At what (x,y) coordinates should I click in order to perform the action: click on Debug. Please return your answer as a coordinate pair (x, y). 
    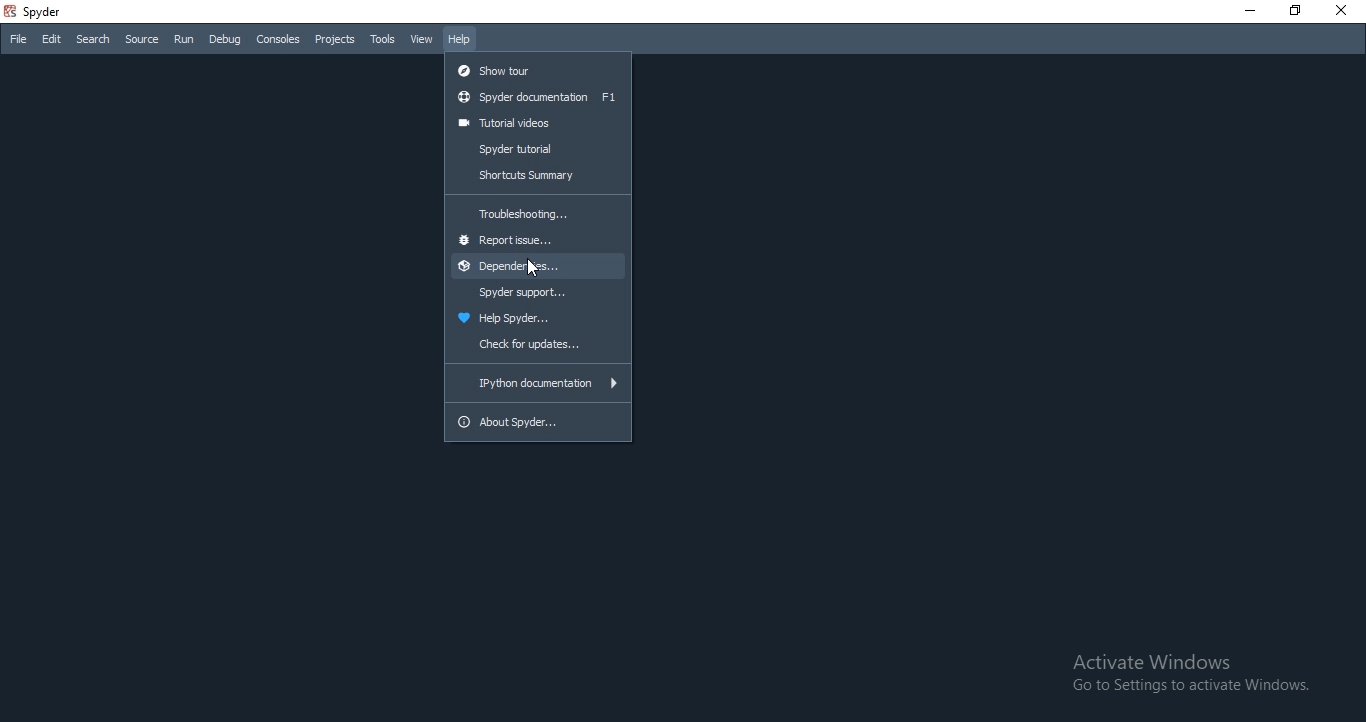
    Looking at the image, I should click on (225, 40).